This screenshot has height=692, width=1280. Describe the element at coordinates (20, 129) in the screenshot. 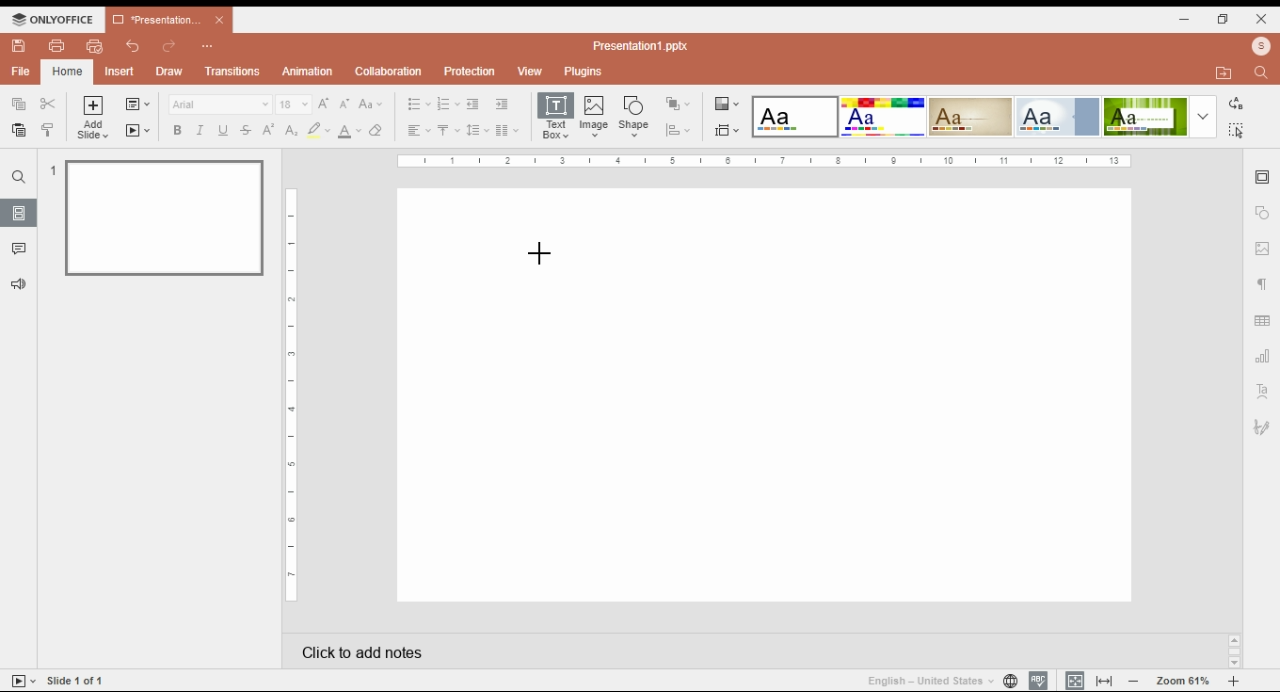

I see `paste` at that location.